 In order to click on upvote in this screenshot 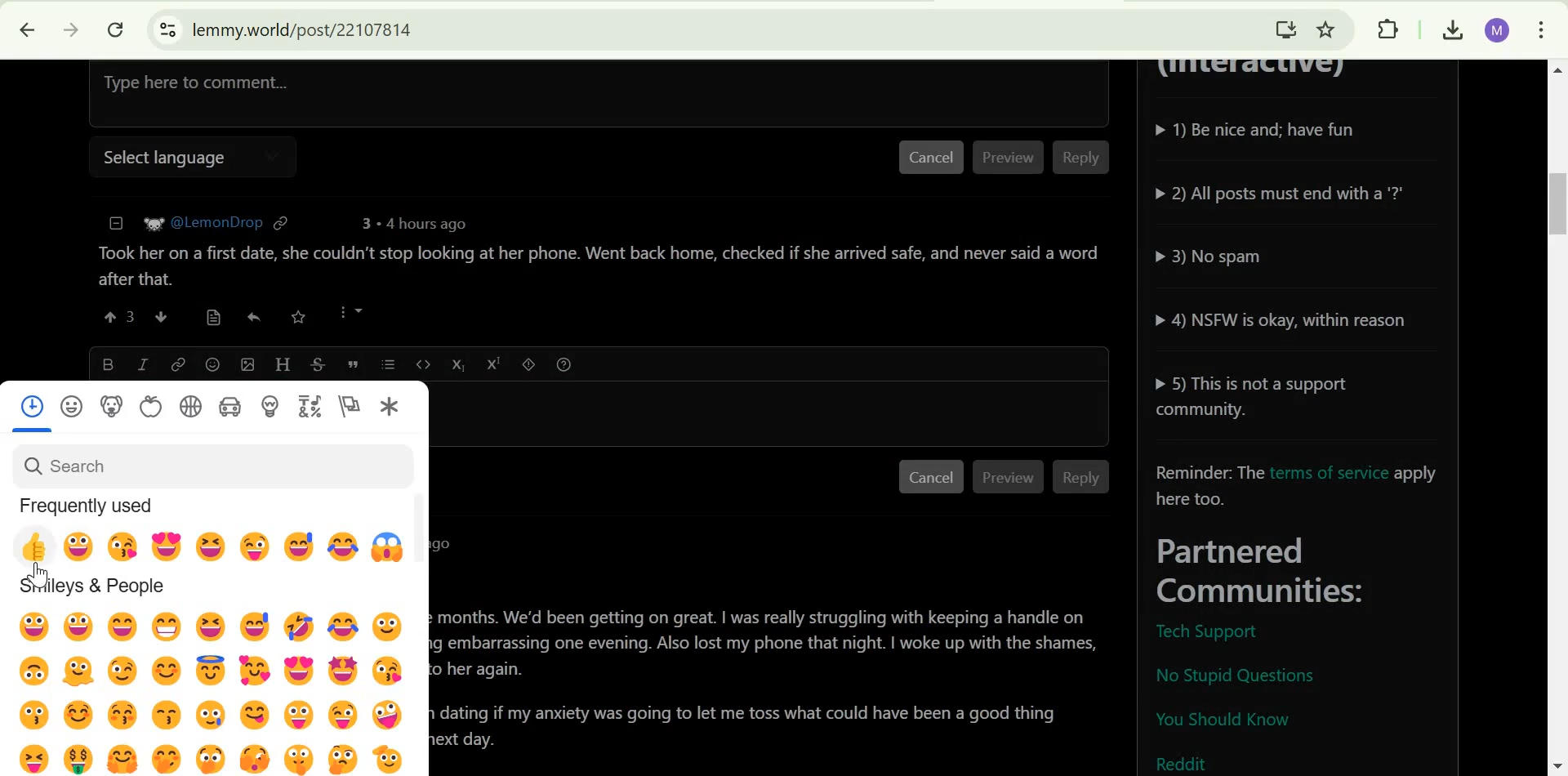, I will do `click(121, 316)`.